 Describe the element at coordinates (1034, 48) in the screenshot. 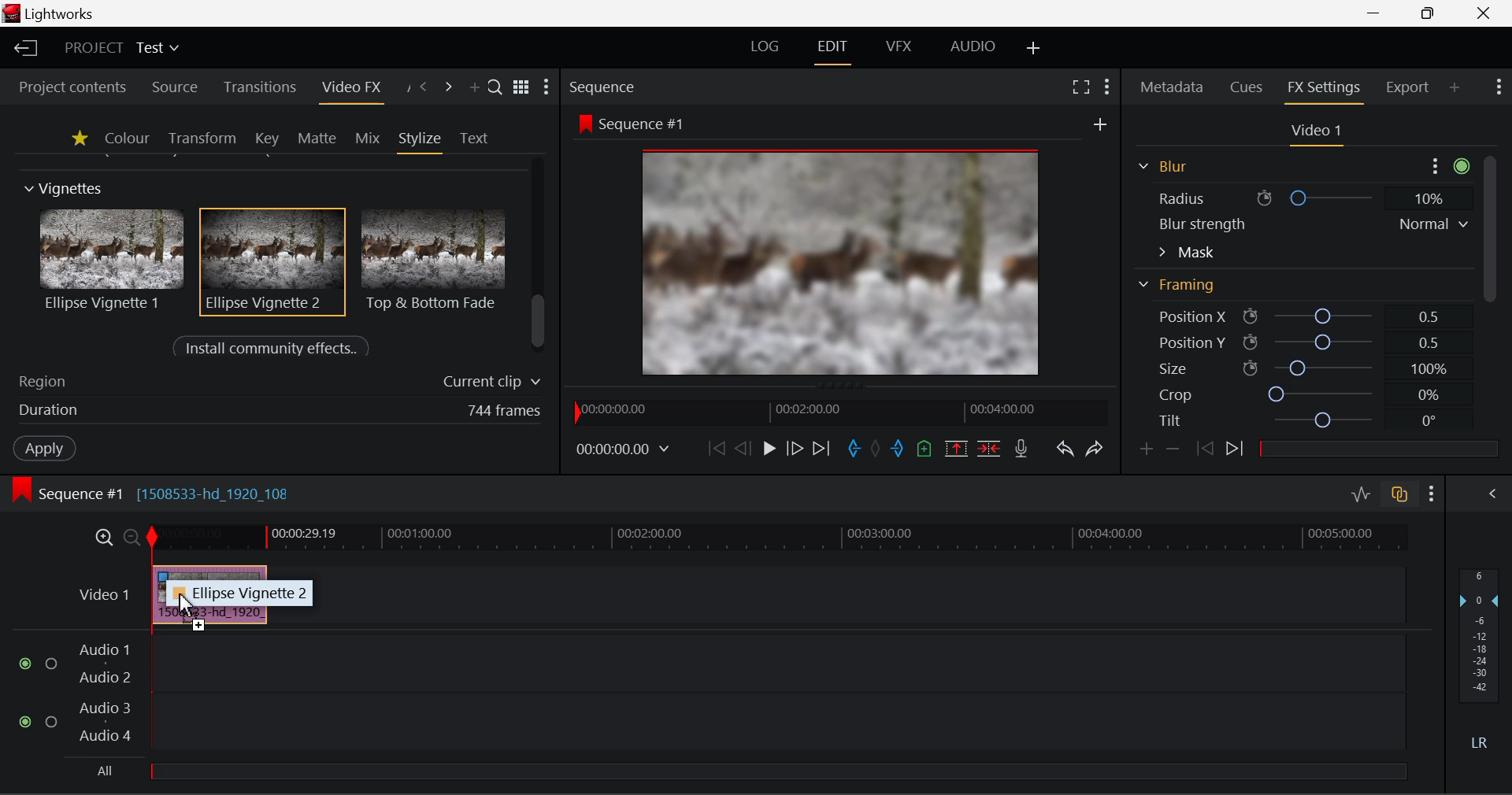

I see `Add Layout` at that location.